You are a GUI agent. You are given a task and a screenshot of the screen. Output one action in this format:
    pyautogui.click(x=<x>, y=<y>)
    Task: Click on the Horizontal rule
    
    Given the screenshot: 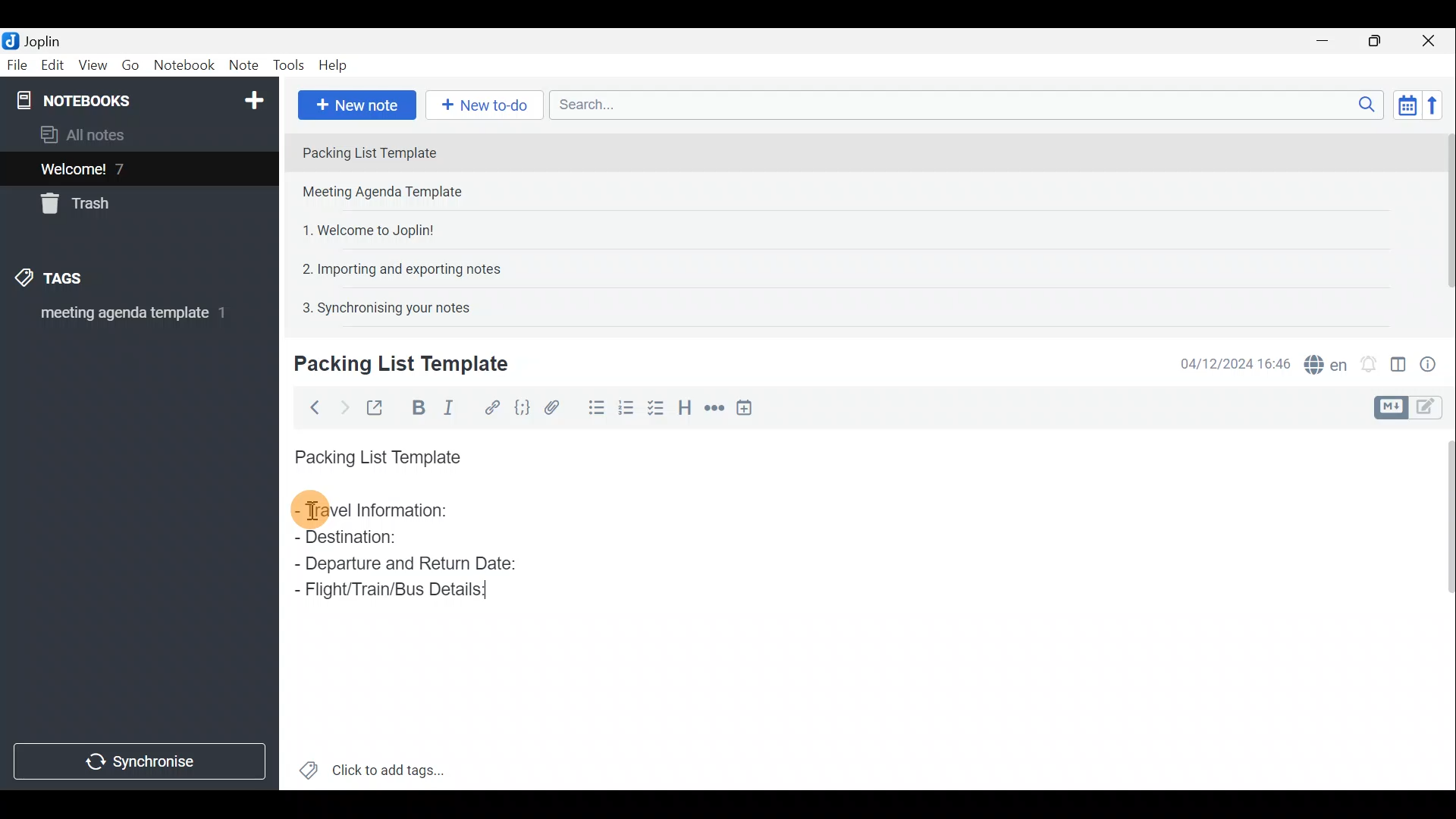 What is the action you would take?
    pyautogui.click(x=712, y=408)
    